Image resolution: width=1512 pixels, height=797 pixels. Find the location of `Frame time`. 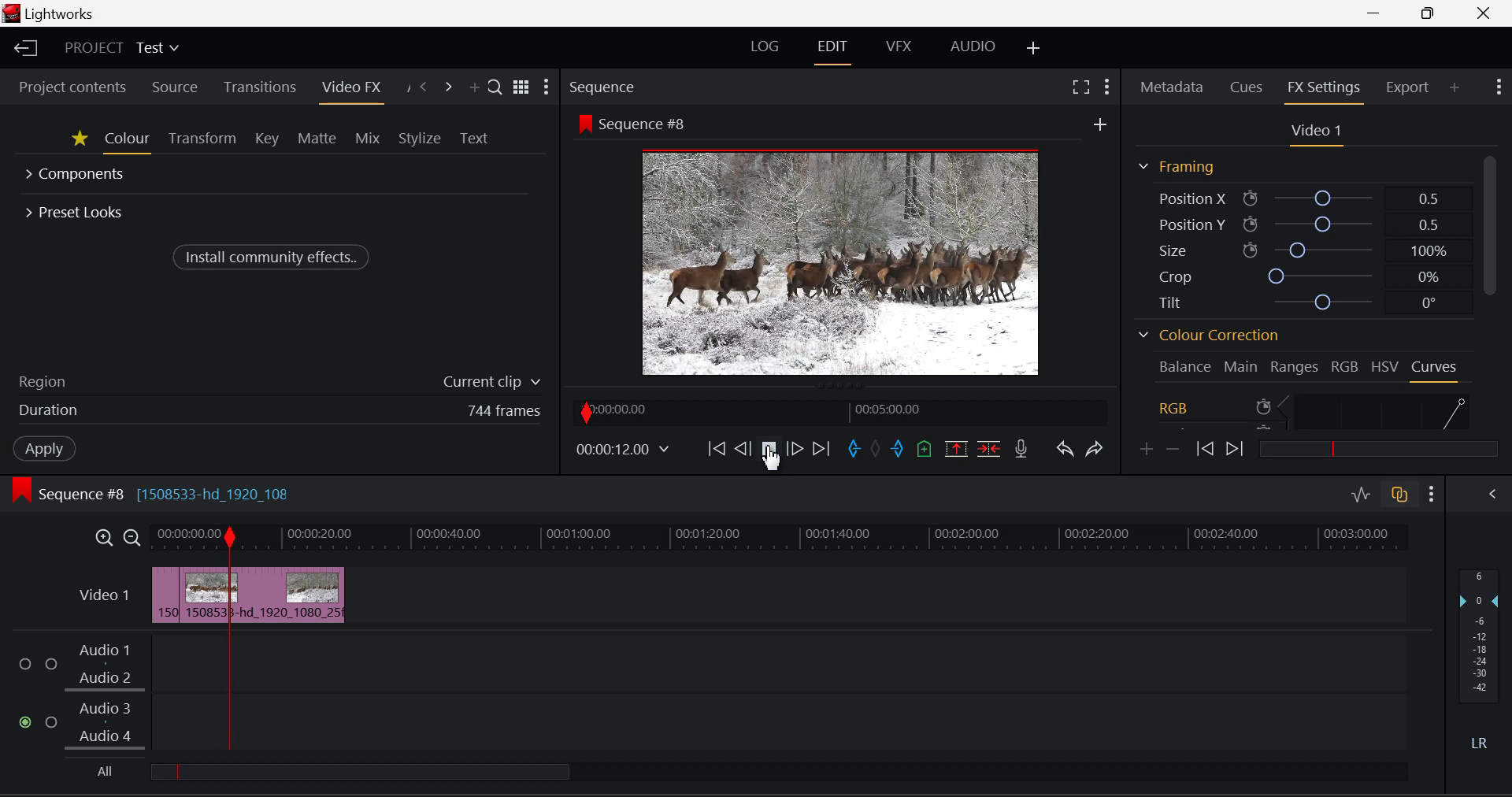

Frame time is located at coordinates (625, 451).